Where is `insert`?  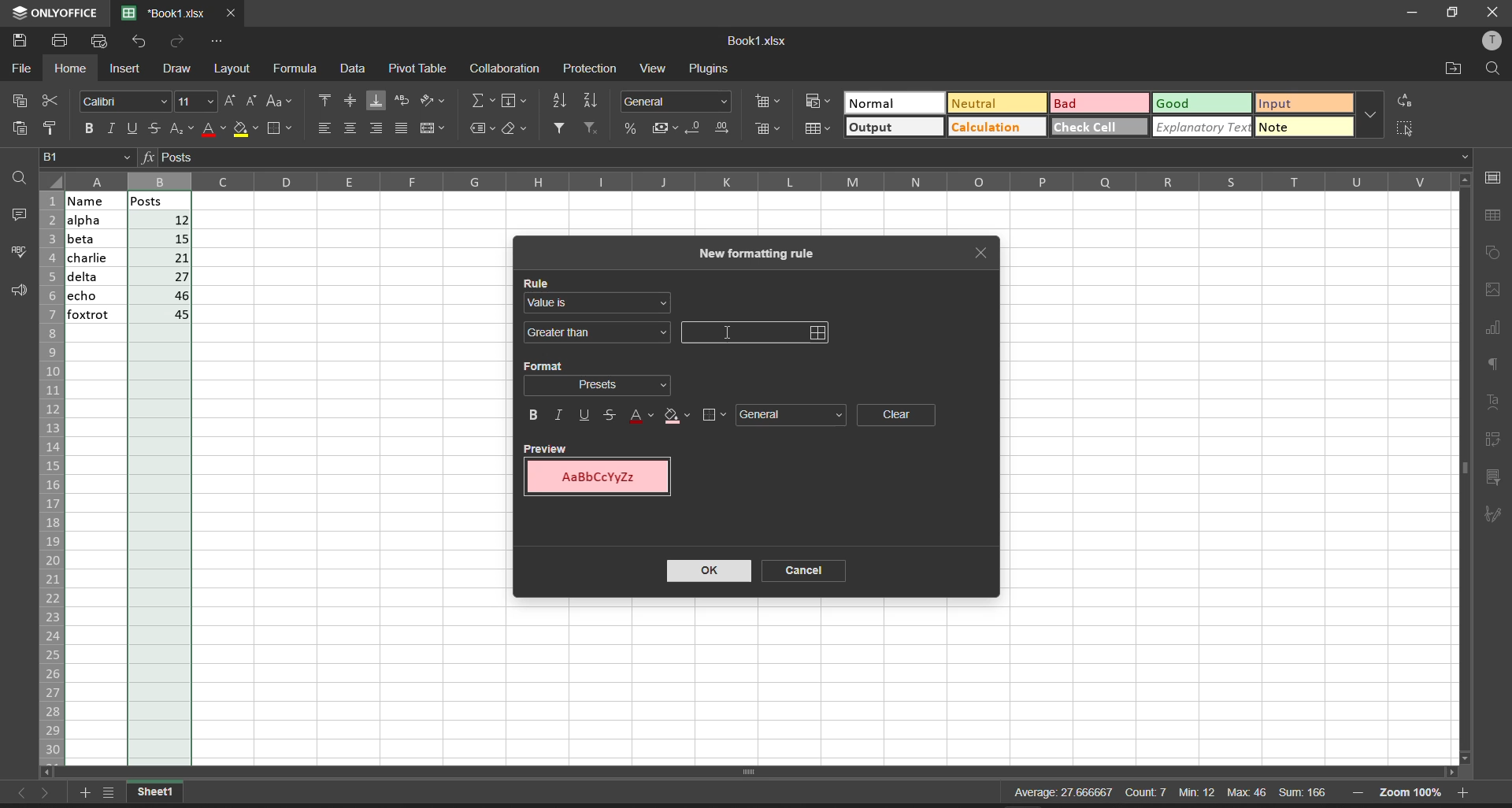 insert is located at coordinates (126, 68).